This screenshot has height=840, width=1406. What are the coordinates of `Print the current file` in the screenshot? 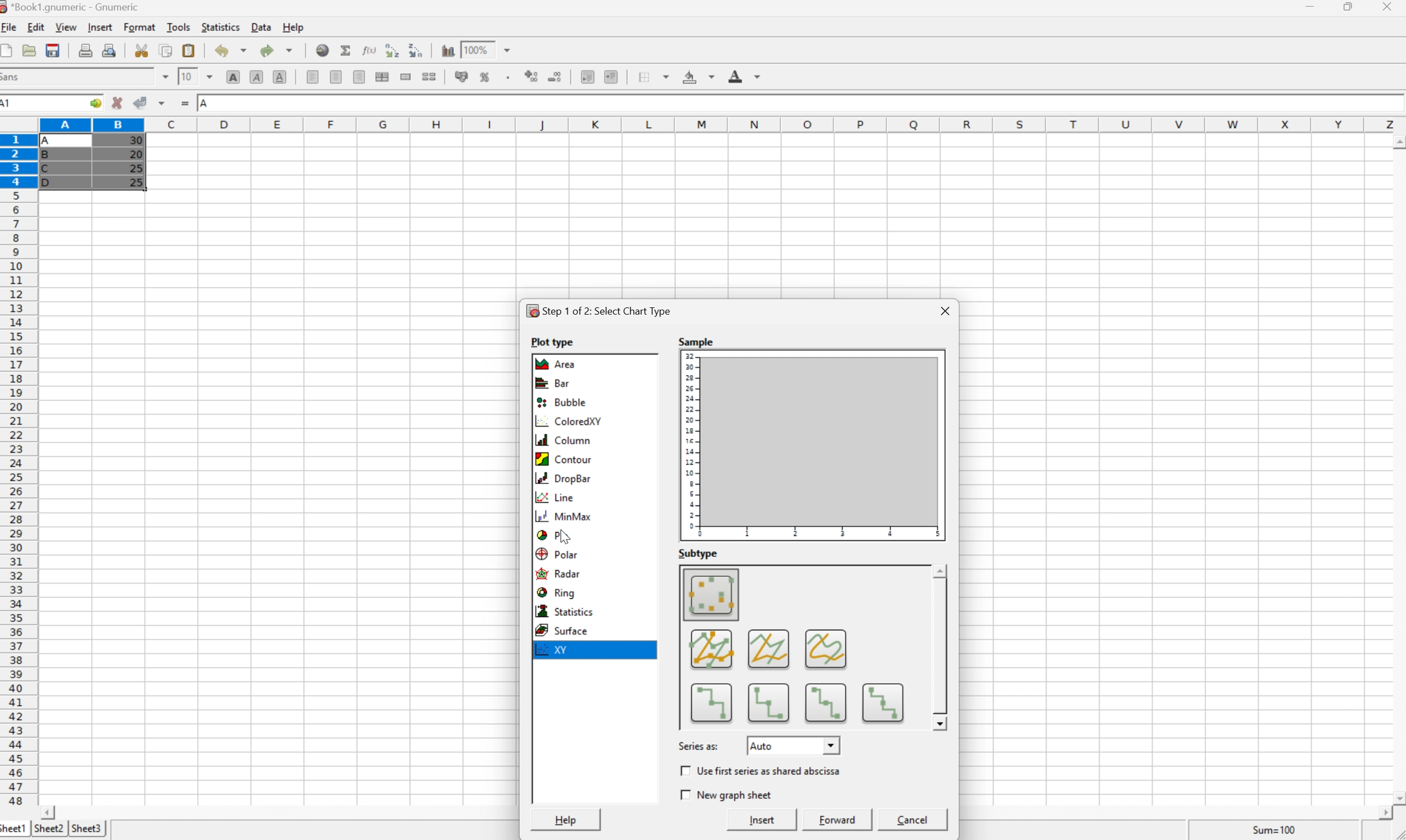 It's located at (86, 50).